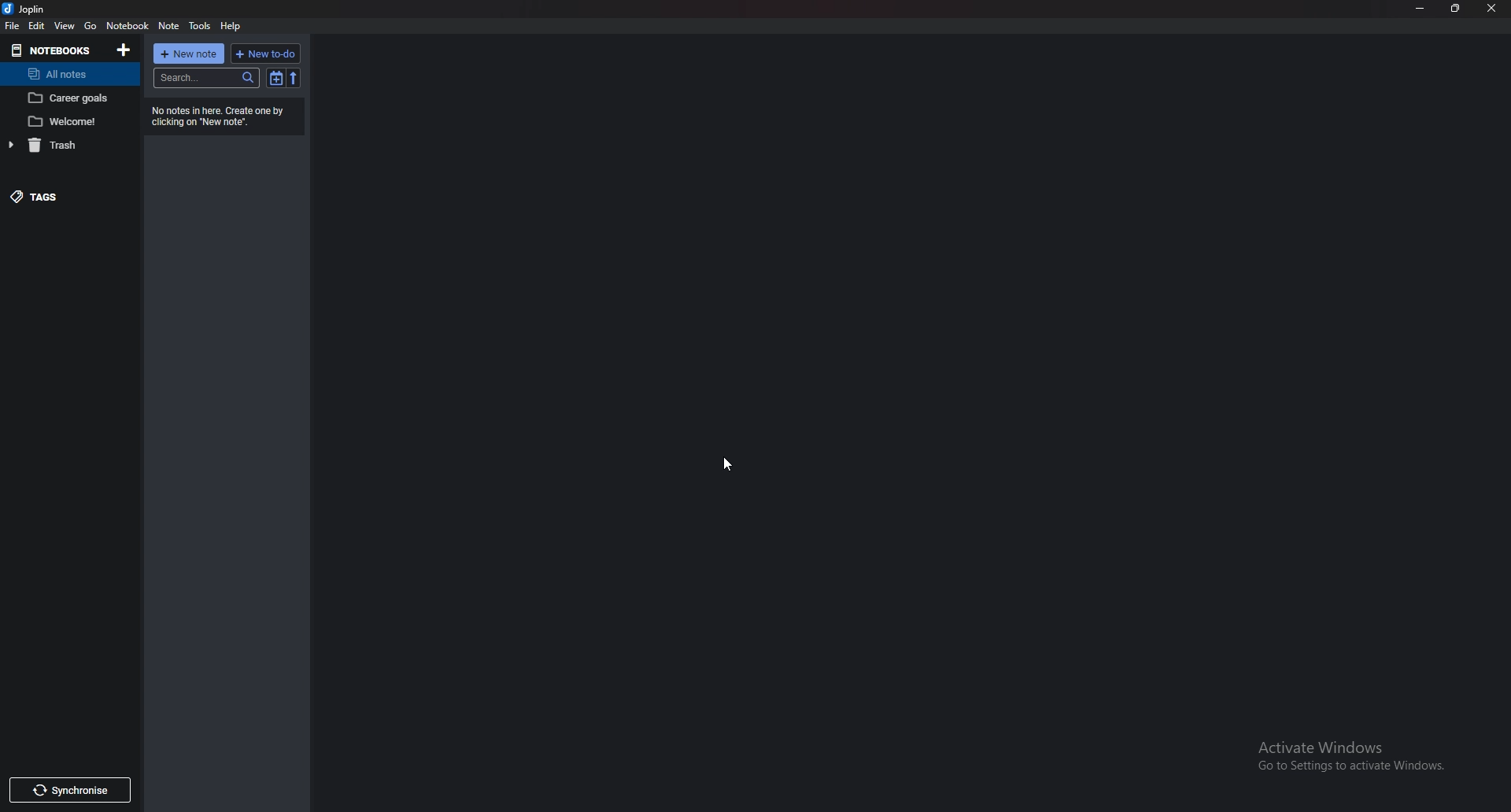  I want to click on note, so click(168, 26).